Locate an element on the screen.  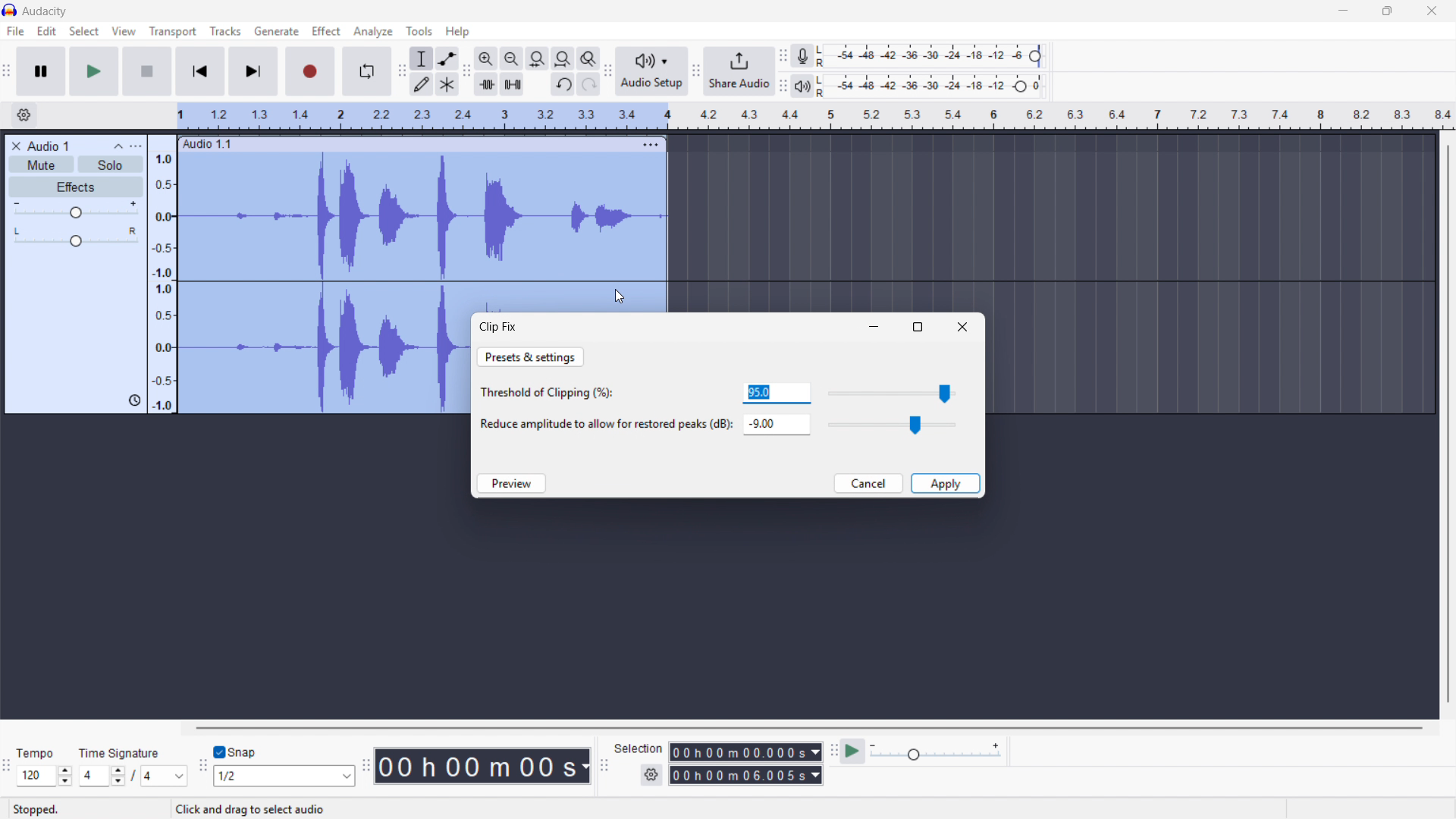
Cursor is located at coordinates (620, 297).